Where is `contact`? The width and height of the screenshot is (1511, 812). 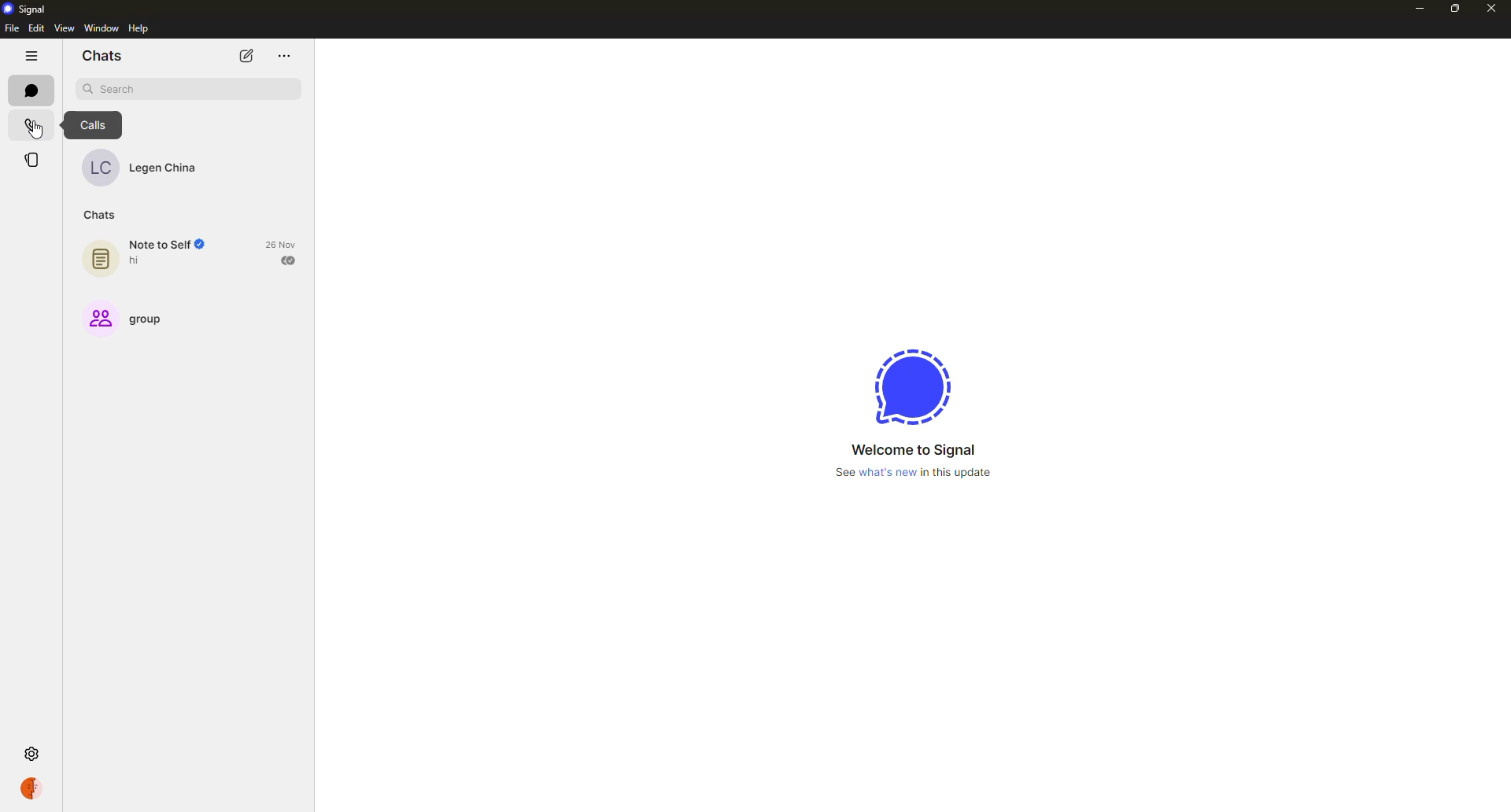
contact is located at coordinates (145, 167).